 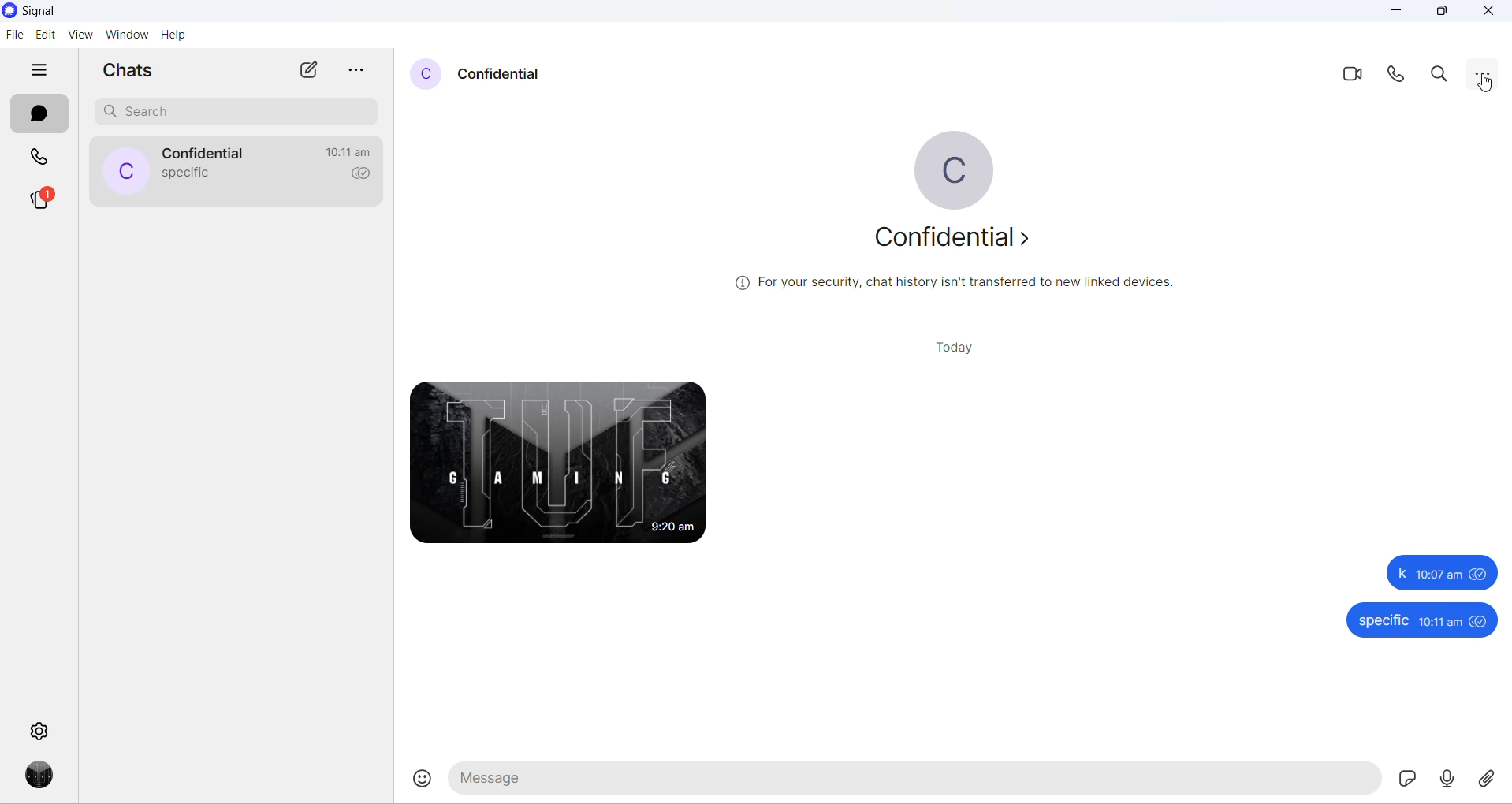 I want to click on last active time, so click(x=352, y=151).